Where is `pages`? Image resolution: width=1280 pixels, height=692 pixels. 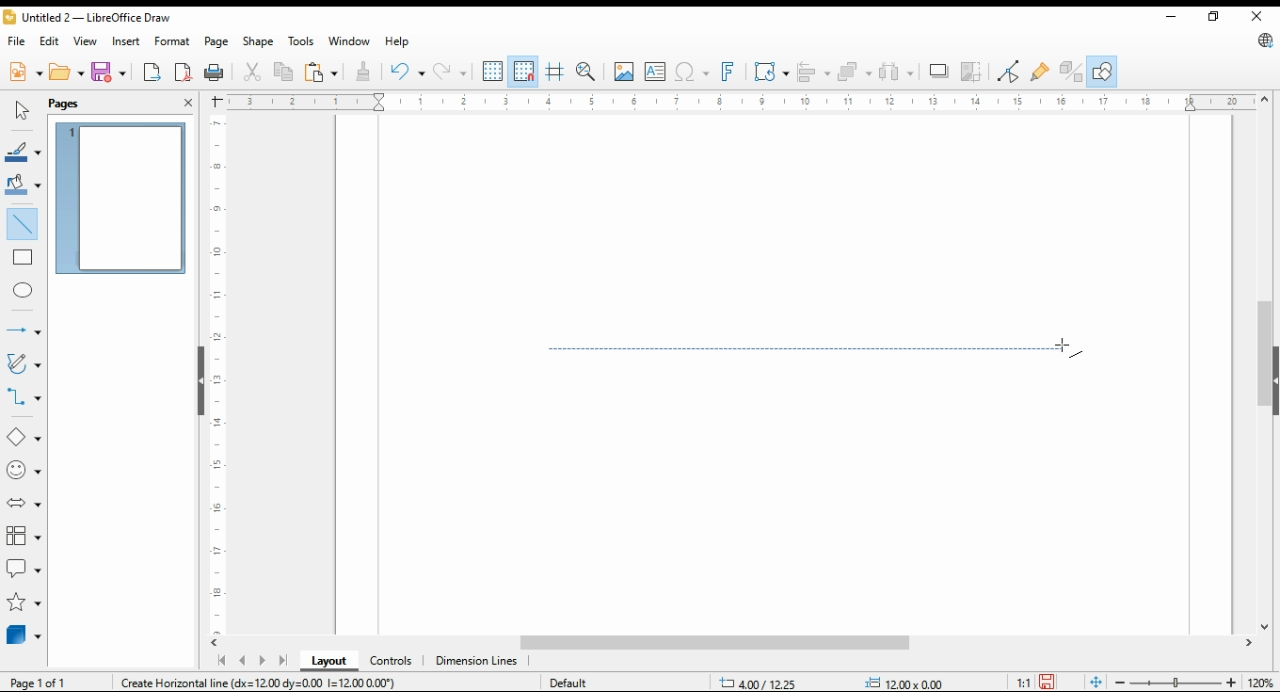
pages is located at coordinates (70, 102).